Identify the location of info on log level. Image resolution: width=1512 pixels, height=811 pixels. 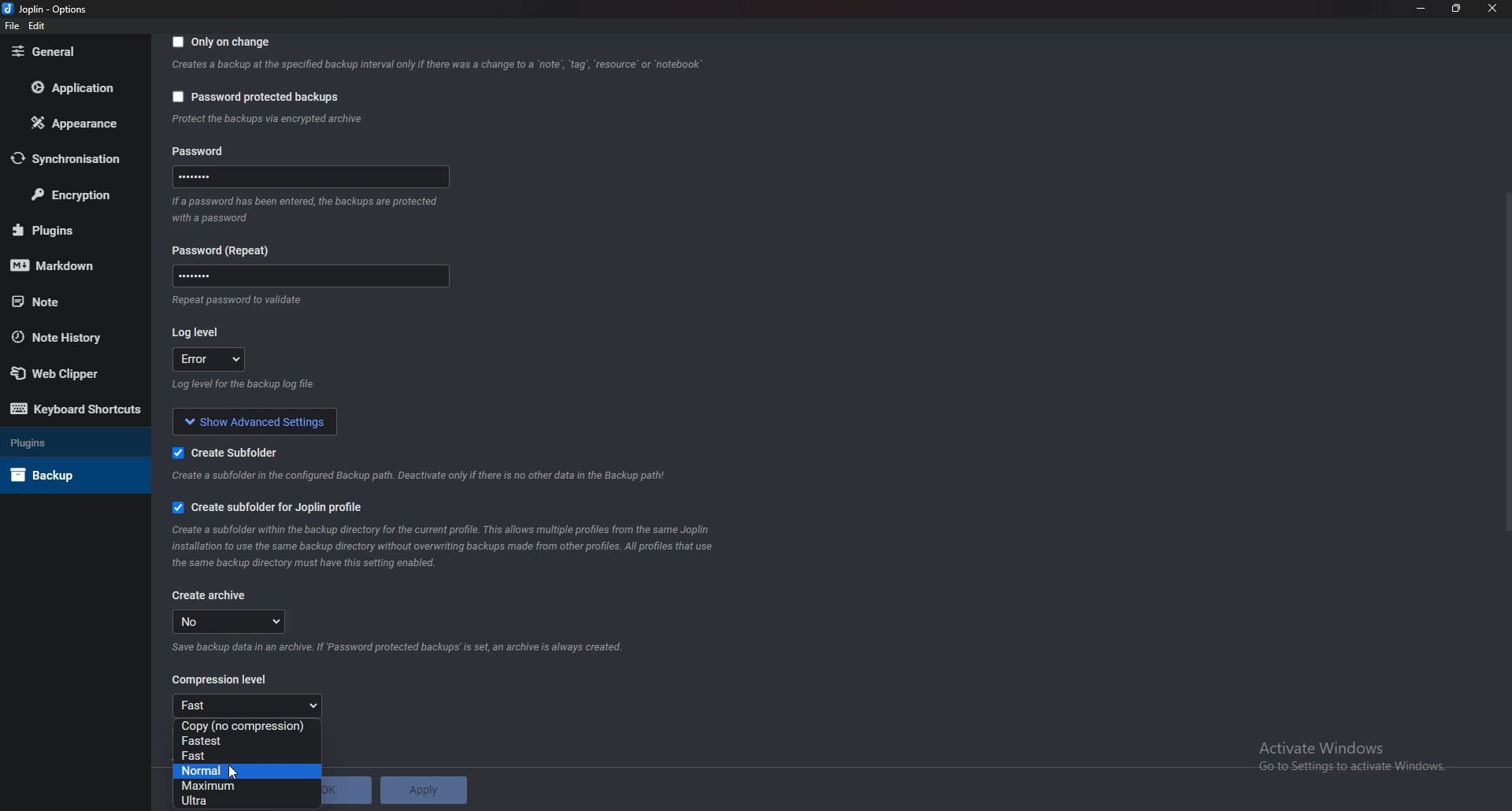
(245, 385).